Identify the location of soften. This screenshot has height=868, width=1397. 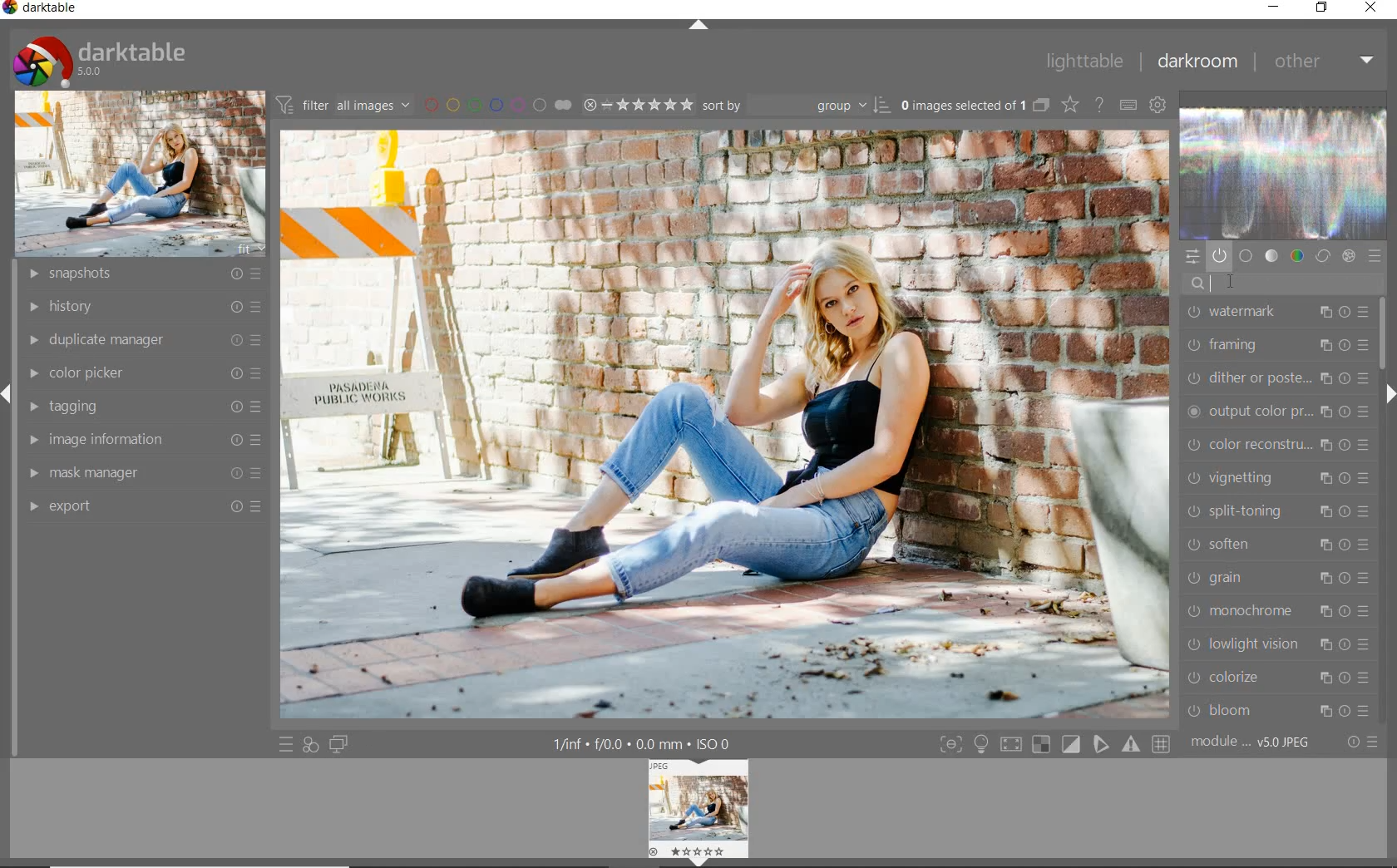
(1275, 547).